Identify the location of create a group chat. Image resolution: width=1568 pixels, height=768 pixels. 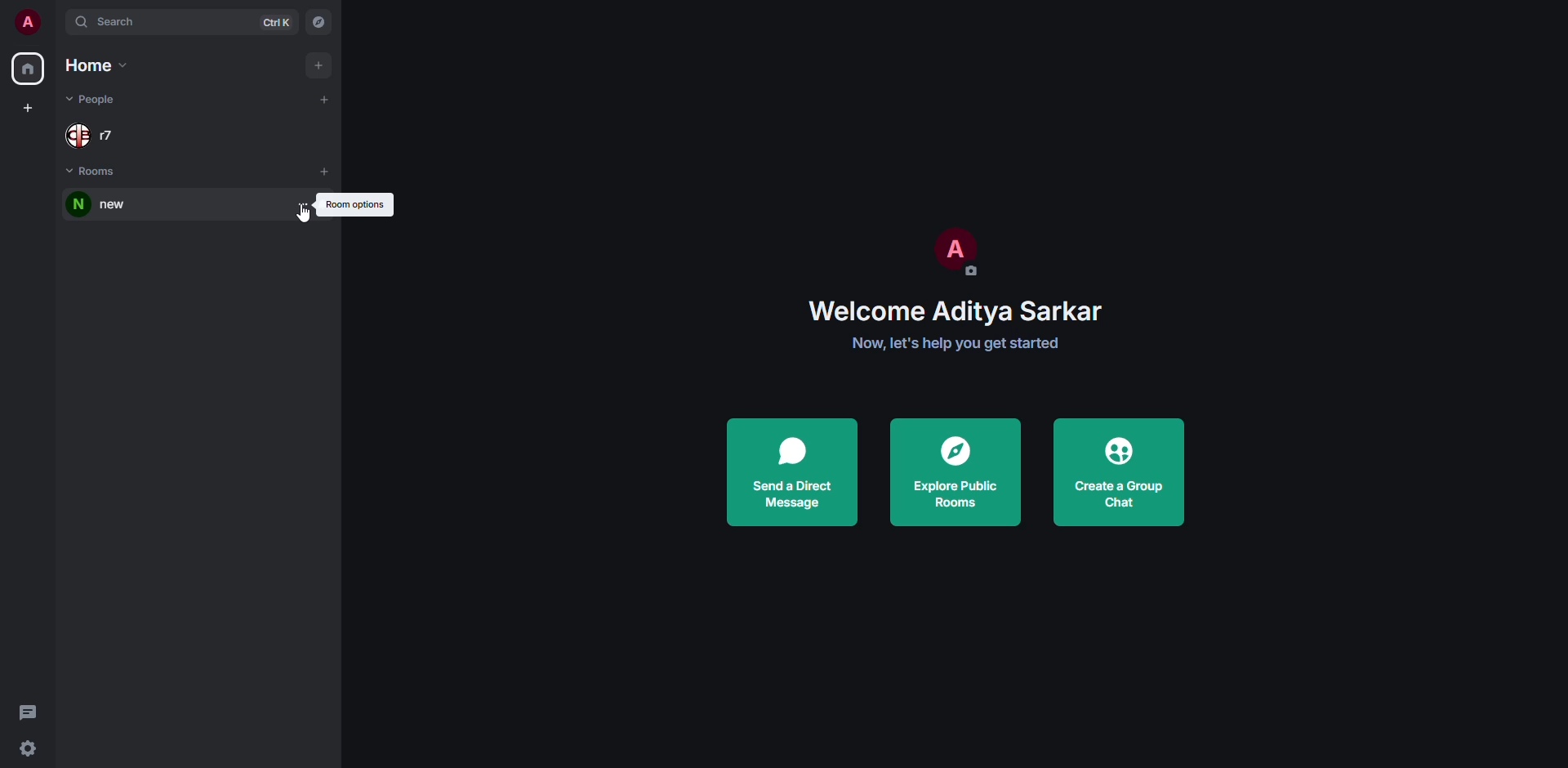
(1120, 470).